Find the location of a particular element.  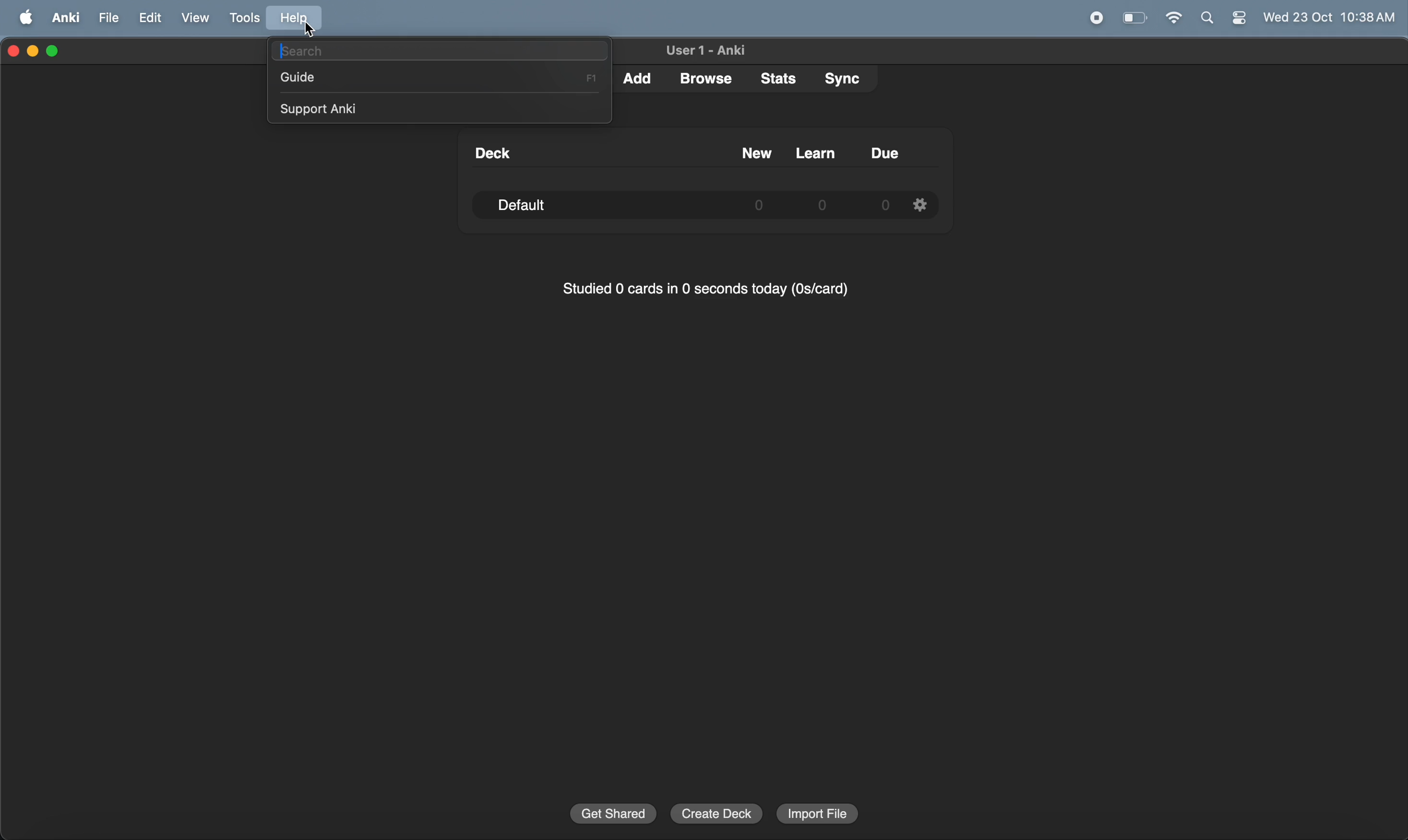

Search is located at coordinates (1207, 19).